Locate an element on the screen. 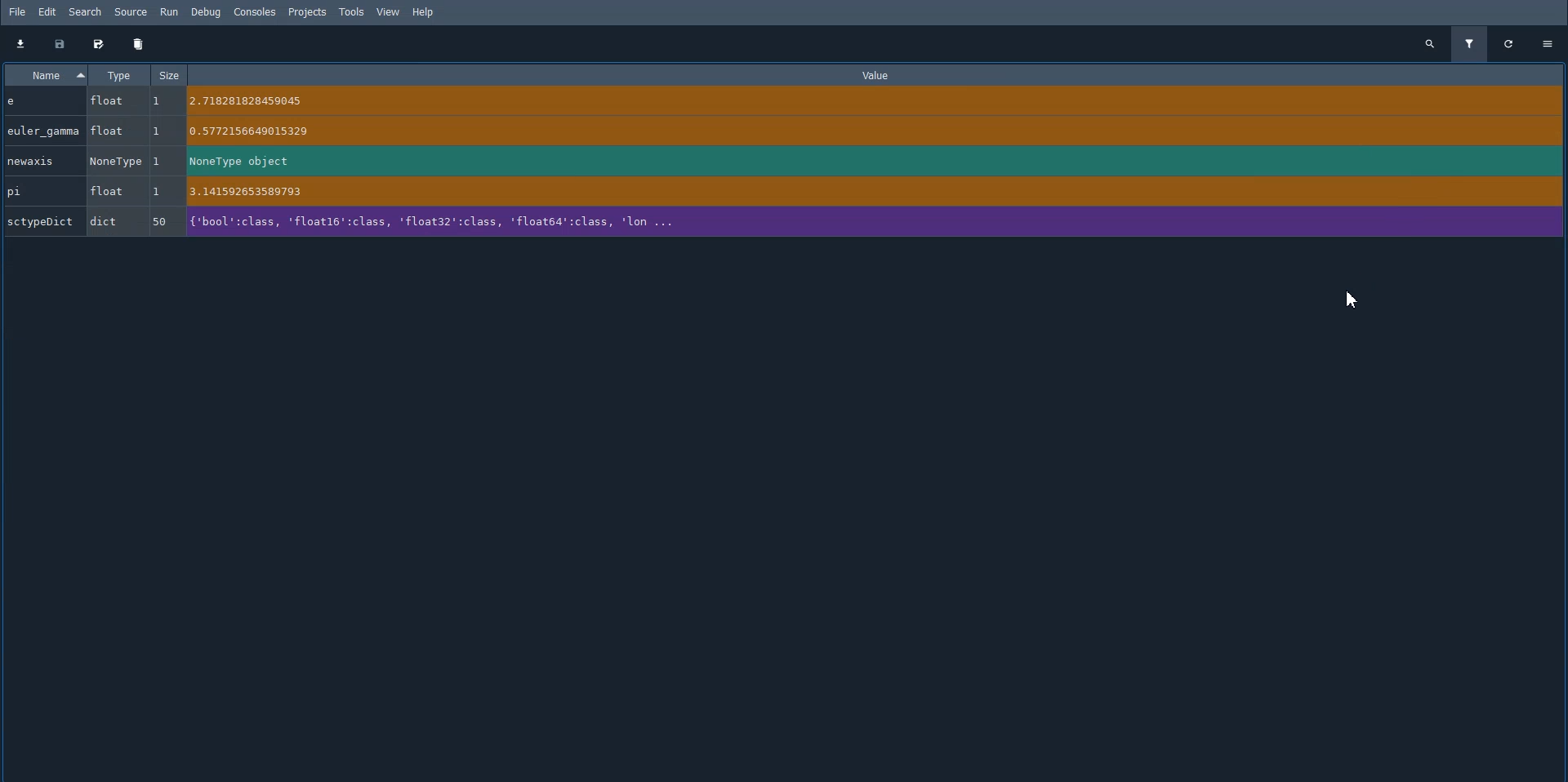 The height and width of the screenshot is (782, 1568). pi is located at coordinates (43, 192).